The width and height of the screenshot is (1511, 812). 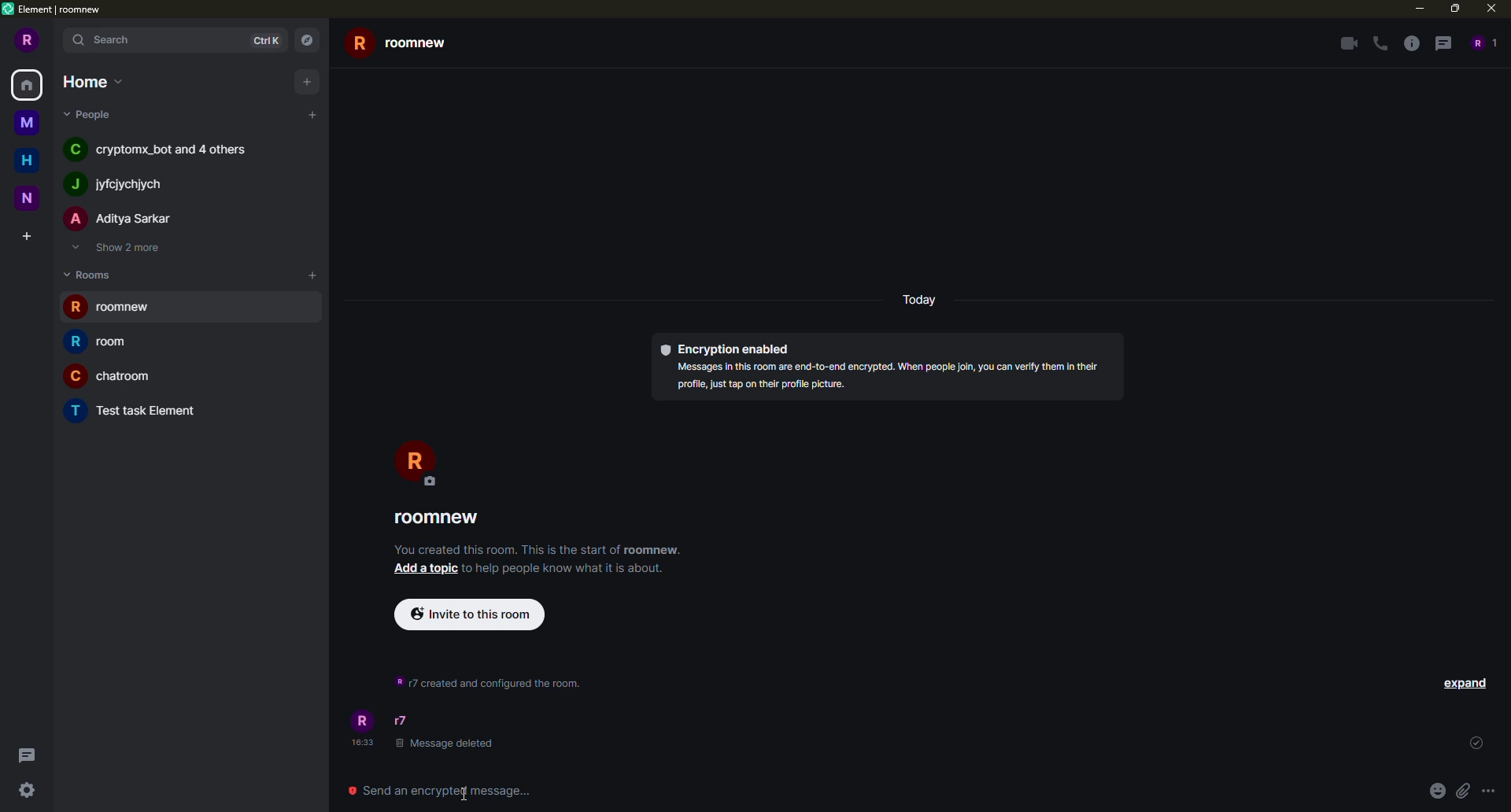 I want to click on space, so click(x=27, y=197).